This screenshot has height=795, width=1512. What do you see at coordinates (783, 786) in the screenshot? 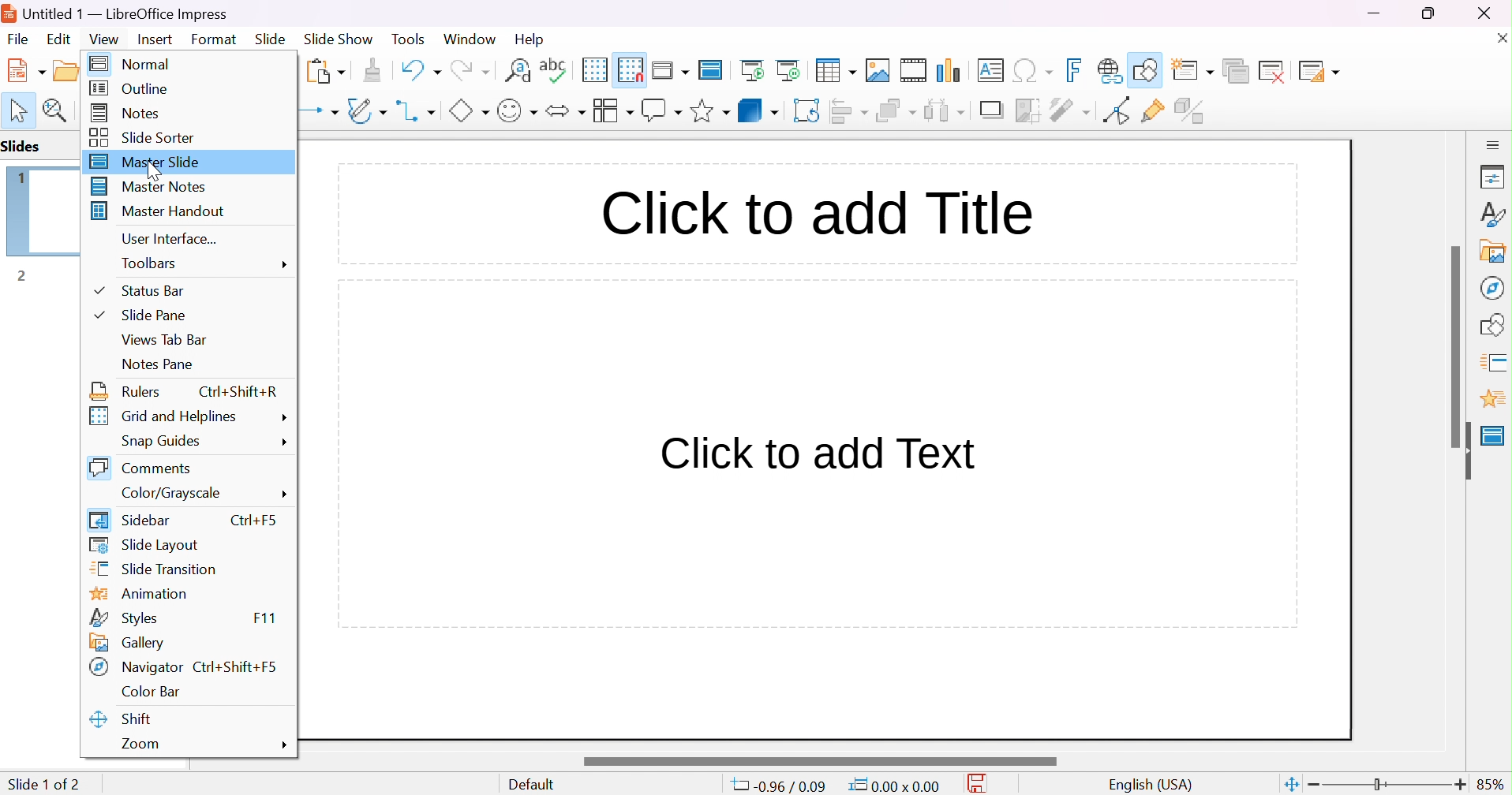
I see `-0.96/0.09` at bounding box center [783, 786].